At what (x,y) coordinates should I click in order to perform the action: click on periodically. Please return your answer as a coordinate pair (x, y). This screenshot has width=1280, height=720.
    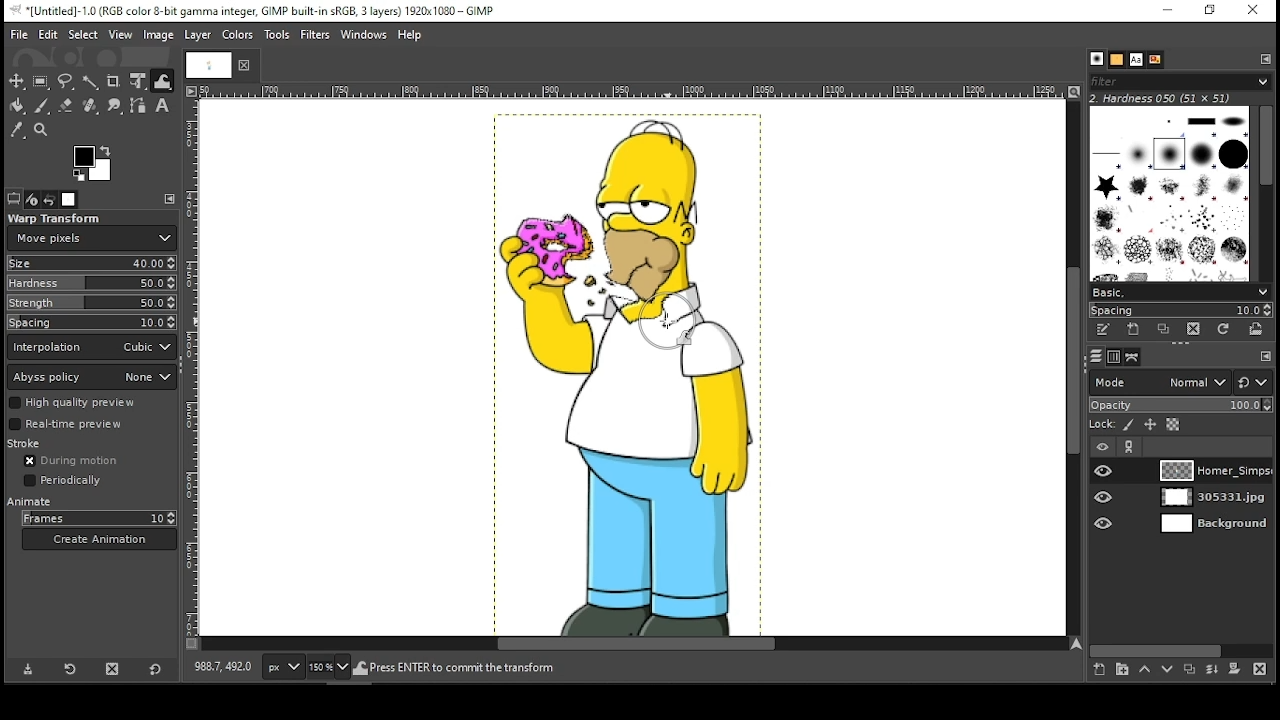
    Looking at the image, I should click on (64, 480).